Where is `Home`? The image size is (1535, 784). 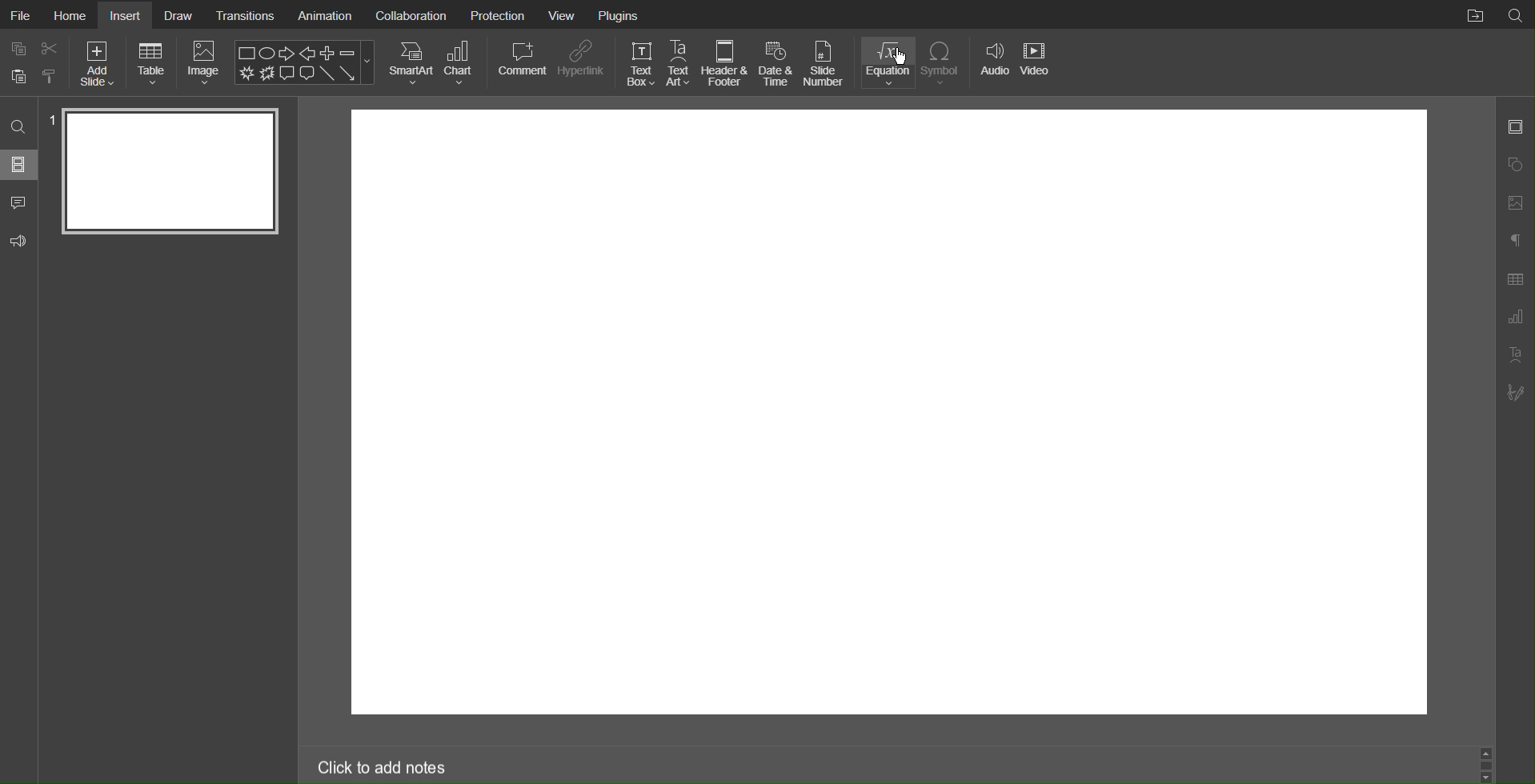 Home is located at coordinates (71, 16).